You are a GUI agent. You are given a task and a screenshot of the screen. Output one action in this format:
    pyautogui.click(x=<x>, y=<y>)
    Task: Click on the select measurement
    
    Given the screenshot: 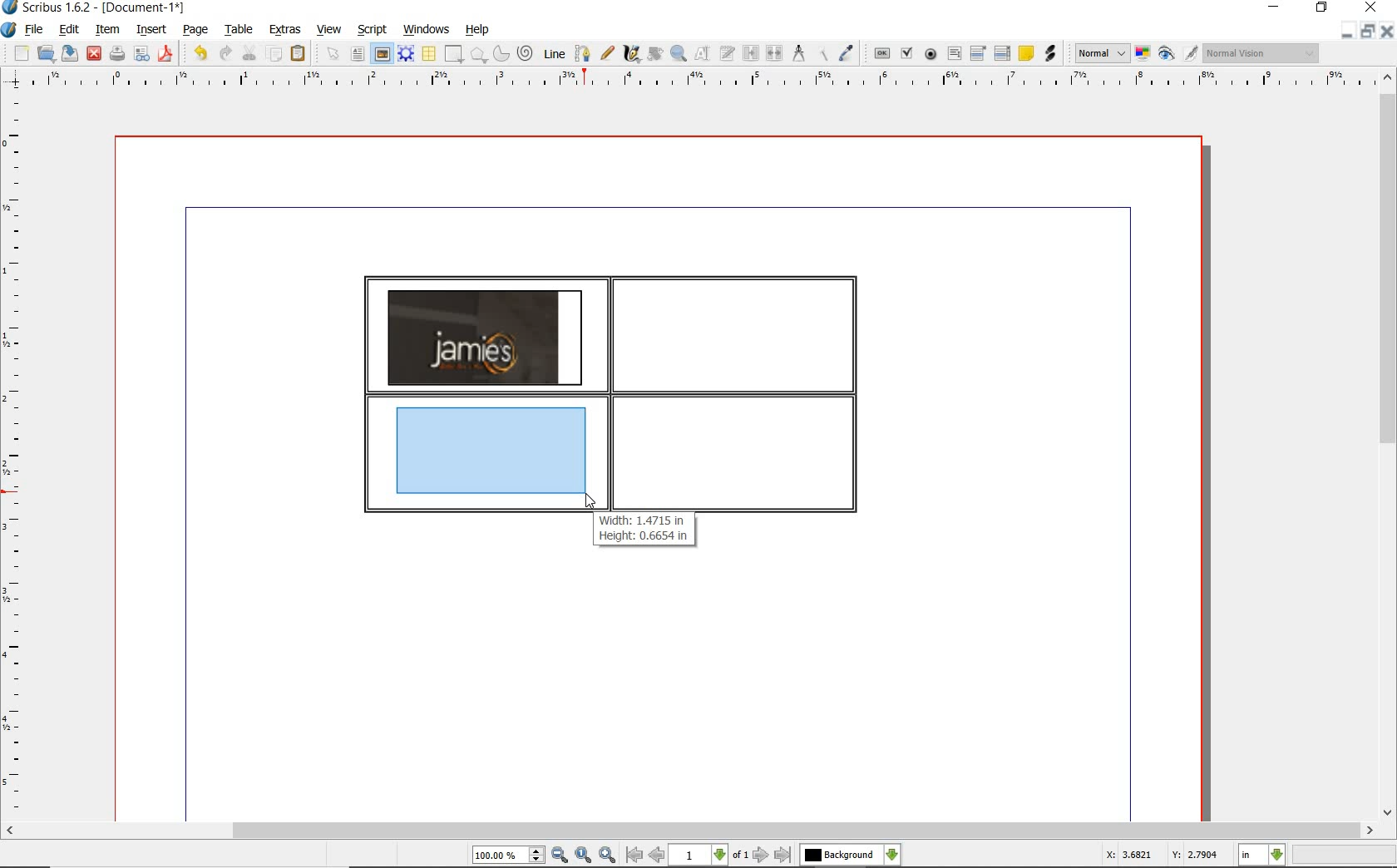 What is the action you would take?
    pyautogui.click(x=1262, y=855)
    